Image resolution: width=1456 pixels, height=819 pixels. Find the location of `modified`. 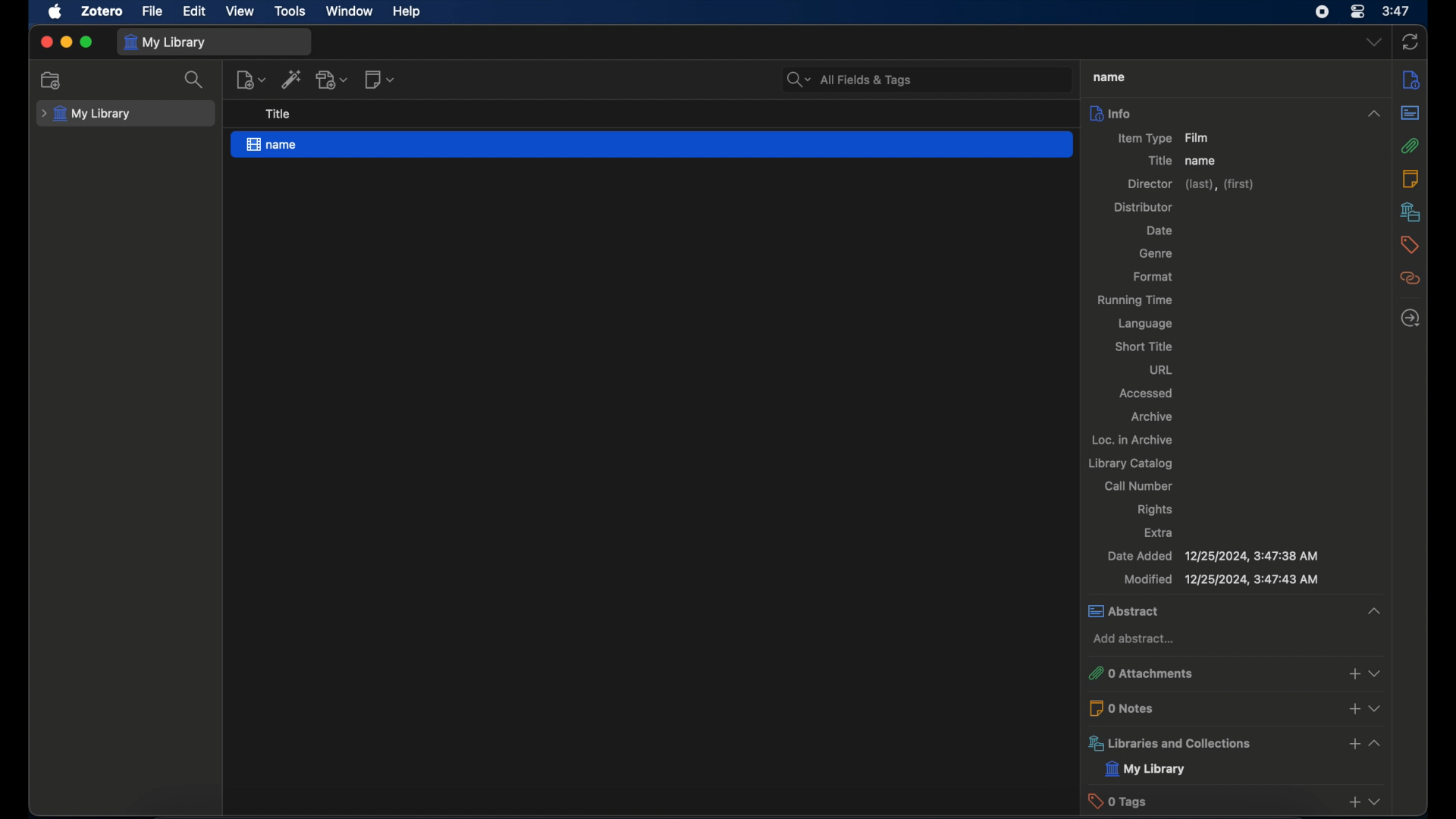

modified is located at coordinates (1221, 579).